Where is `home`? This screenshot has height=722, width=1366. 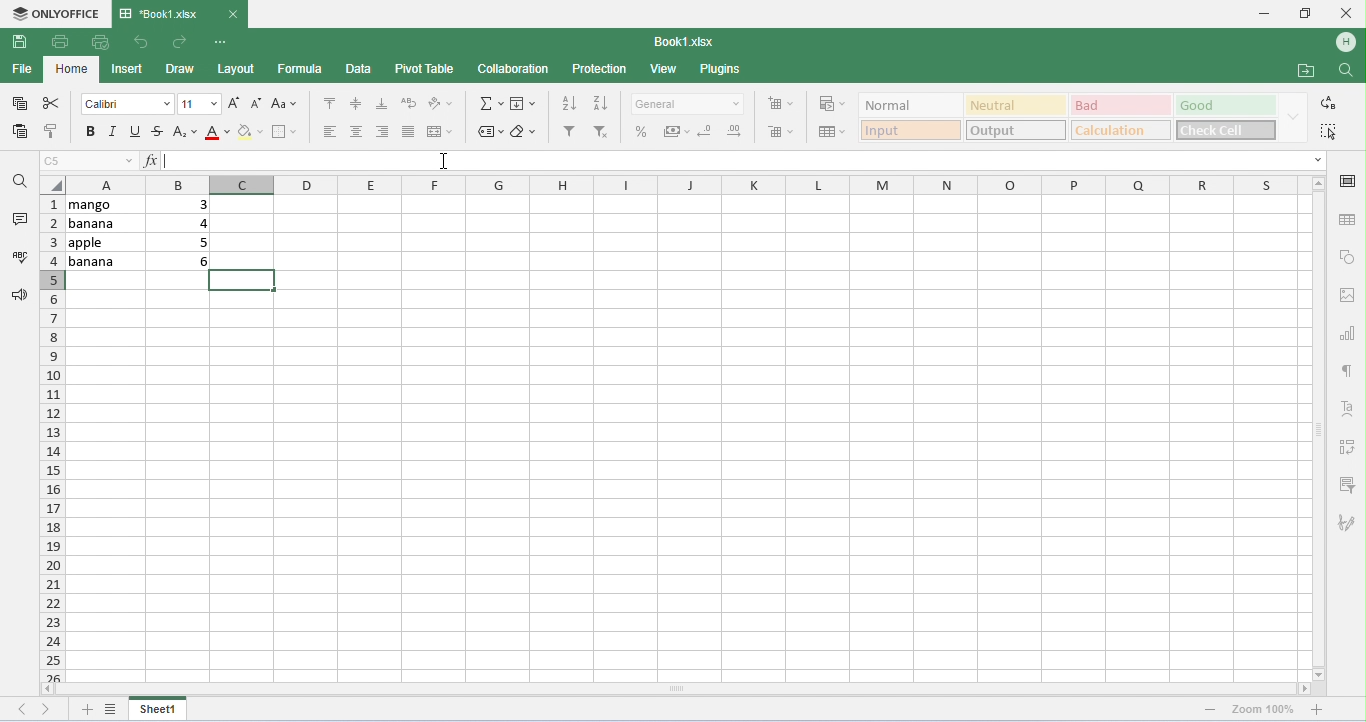
home is located at coordinates (73, 70).